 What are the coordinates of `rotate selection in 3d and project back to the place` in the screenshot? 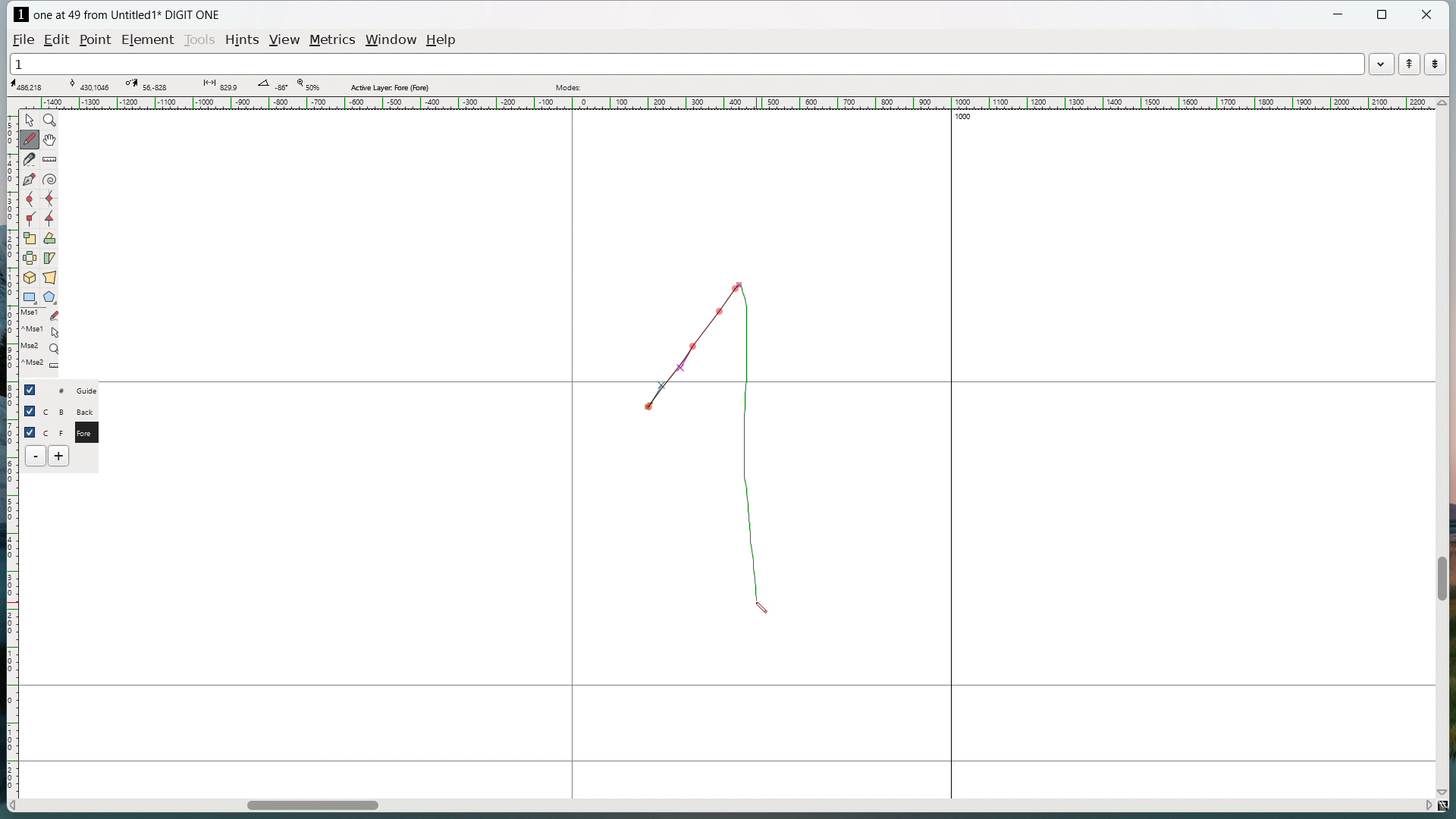 It's located at (30, 277).